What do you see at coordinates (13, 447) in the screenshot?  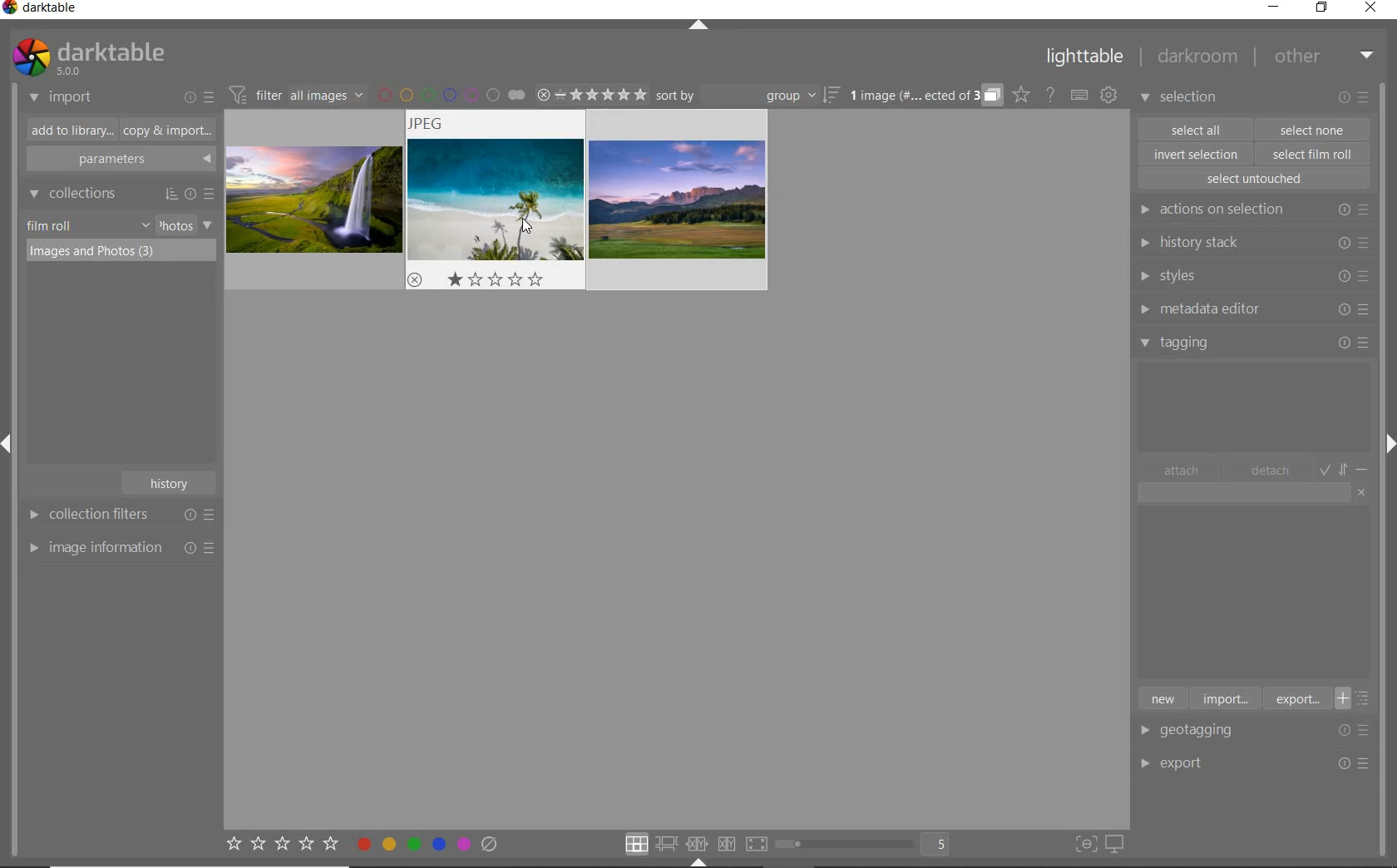 I see `Expand` at bounding box center [13, 447].